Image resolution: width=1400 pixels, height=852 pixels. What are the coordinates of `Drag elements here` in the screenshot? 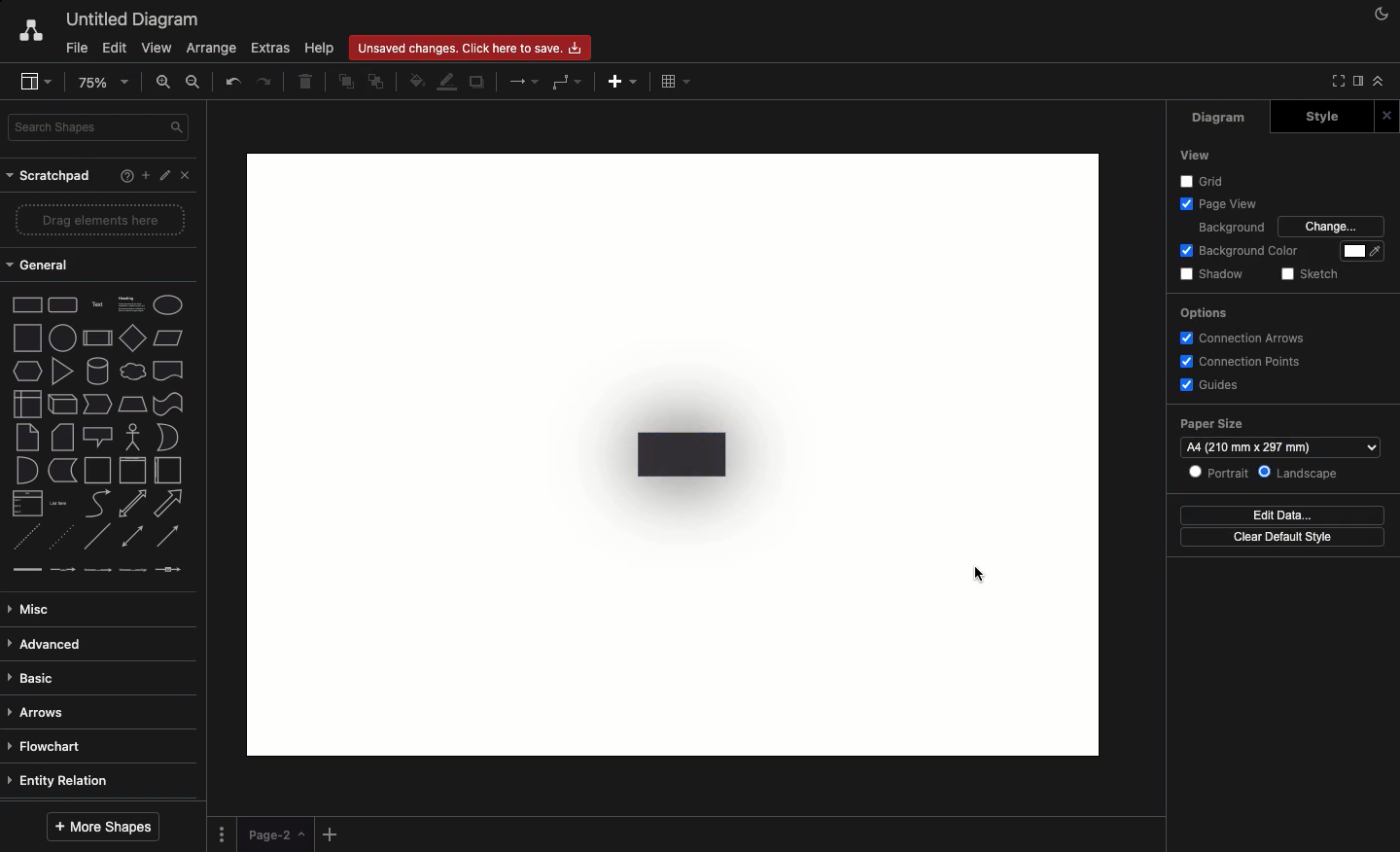 It's located at (103, 219).